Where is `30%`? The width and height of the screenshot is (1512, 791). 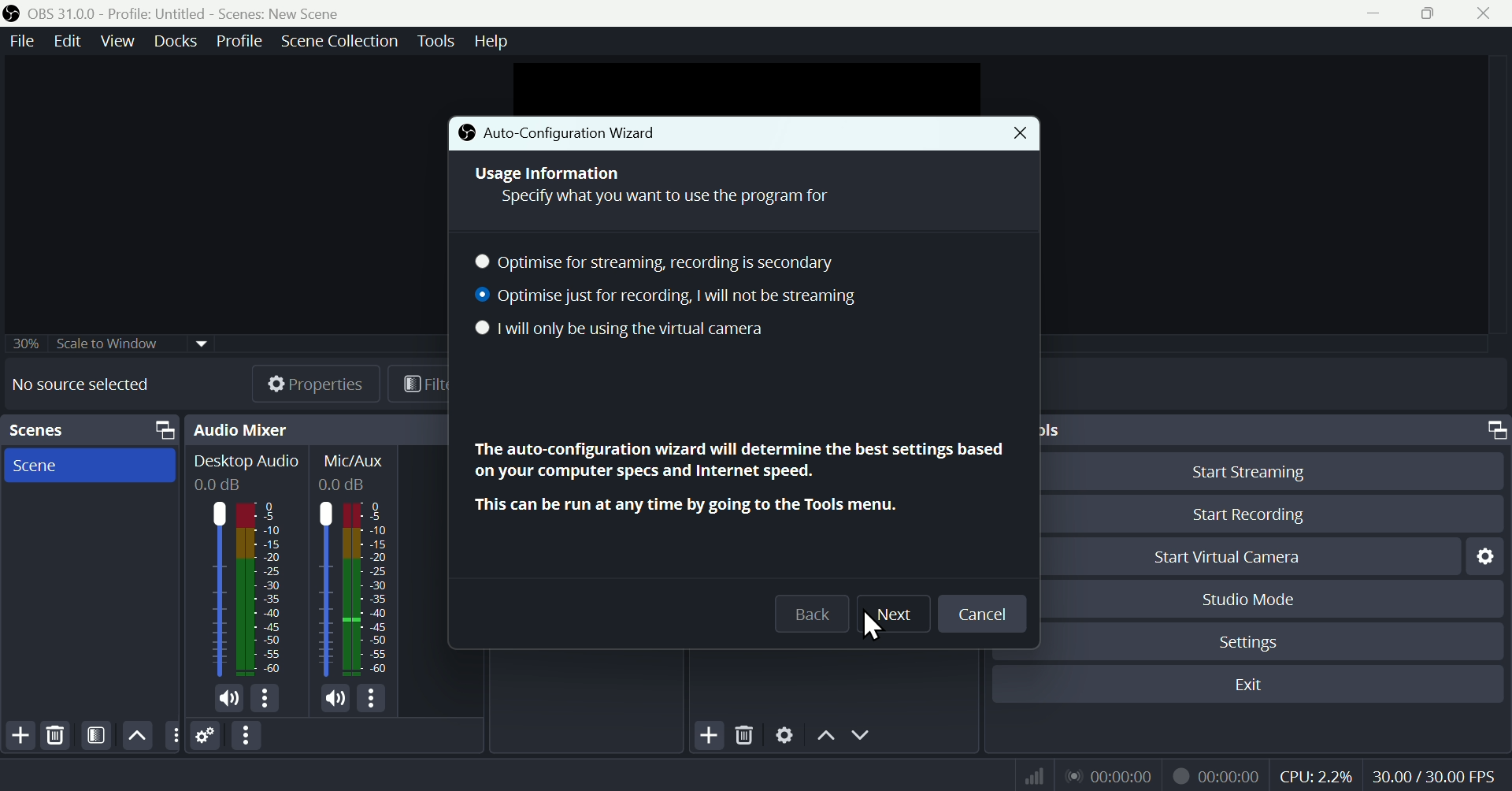 30% is located at coordinates (23, 343).